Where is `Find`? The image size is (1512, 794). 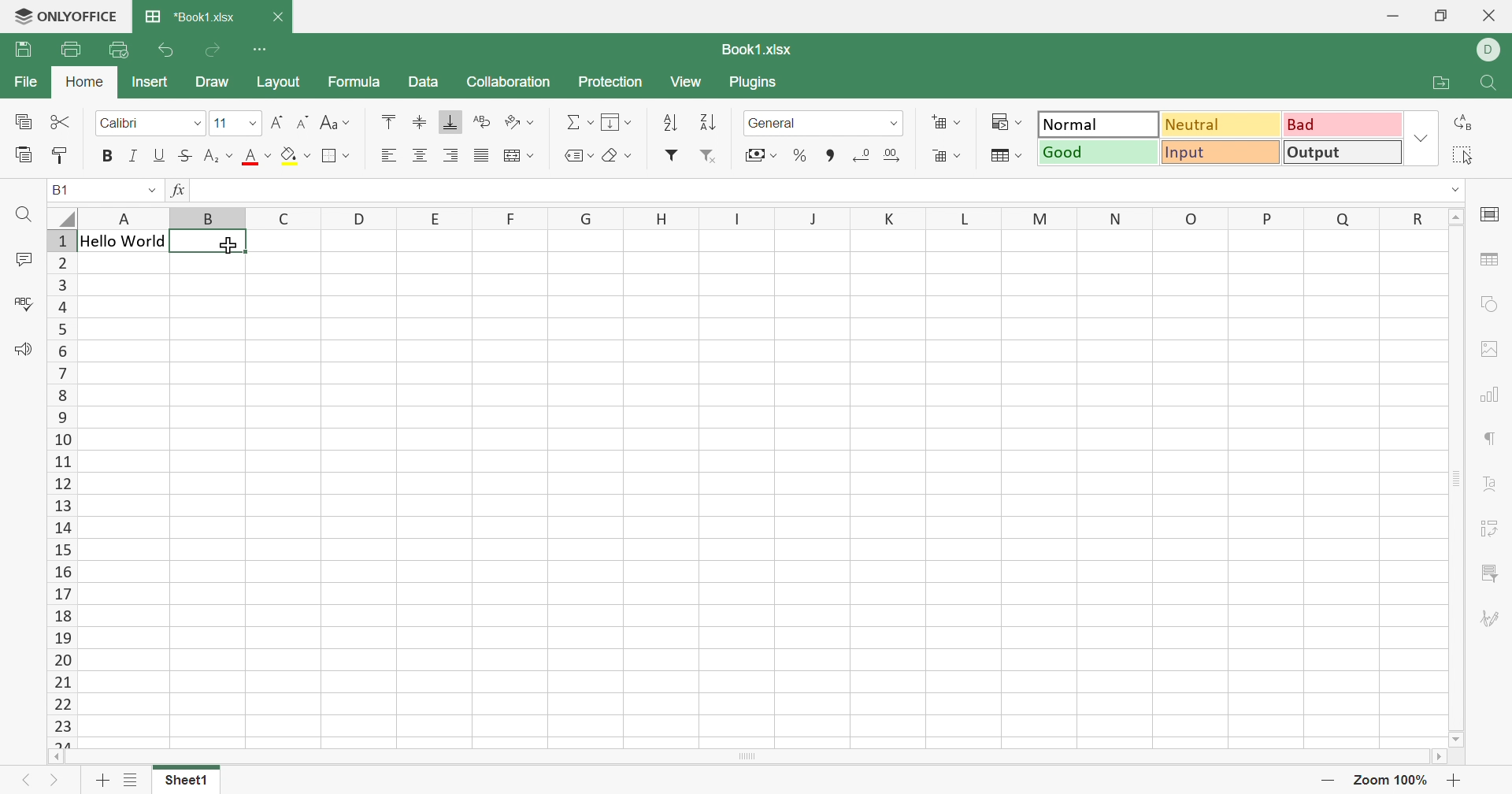 Find is located at coordinates (1492, 83).